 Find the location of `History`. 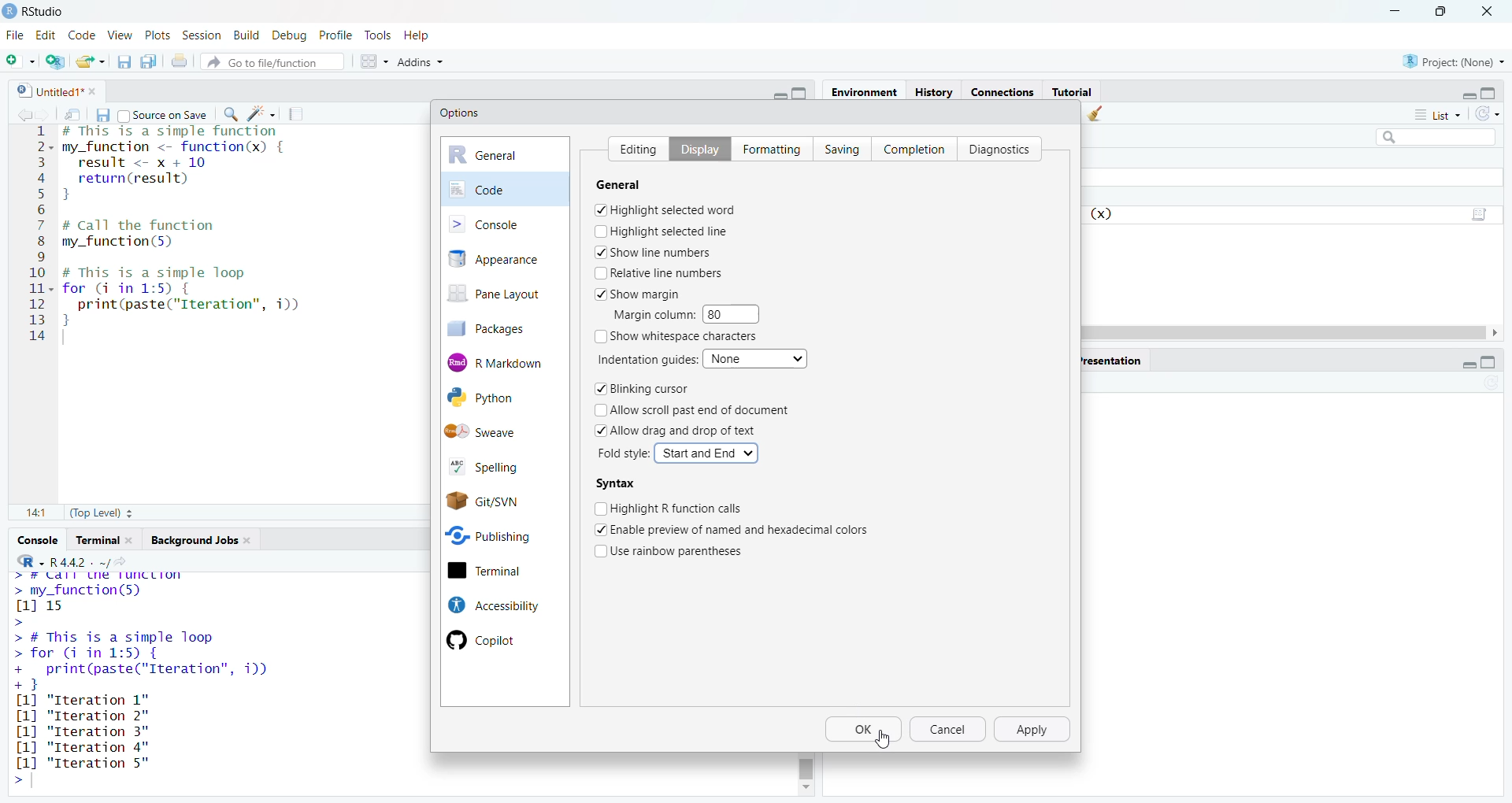

History is located at coordinates (934, 91).